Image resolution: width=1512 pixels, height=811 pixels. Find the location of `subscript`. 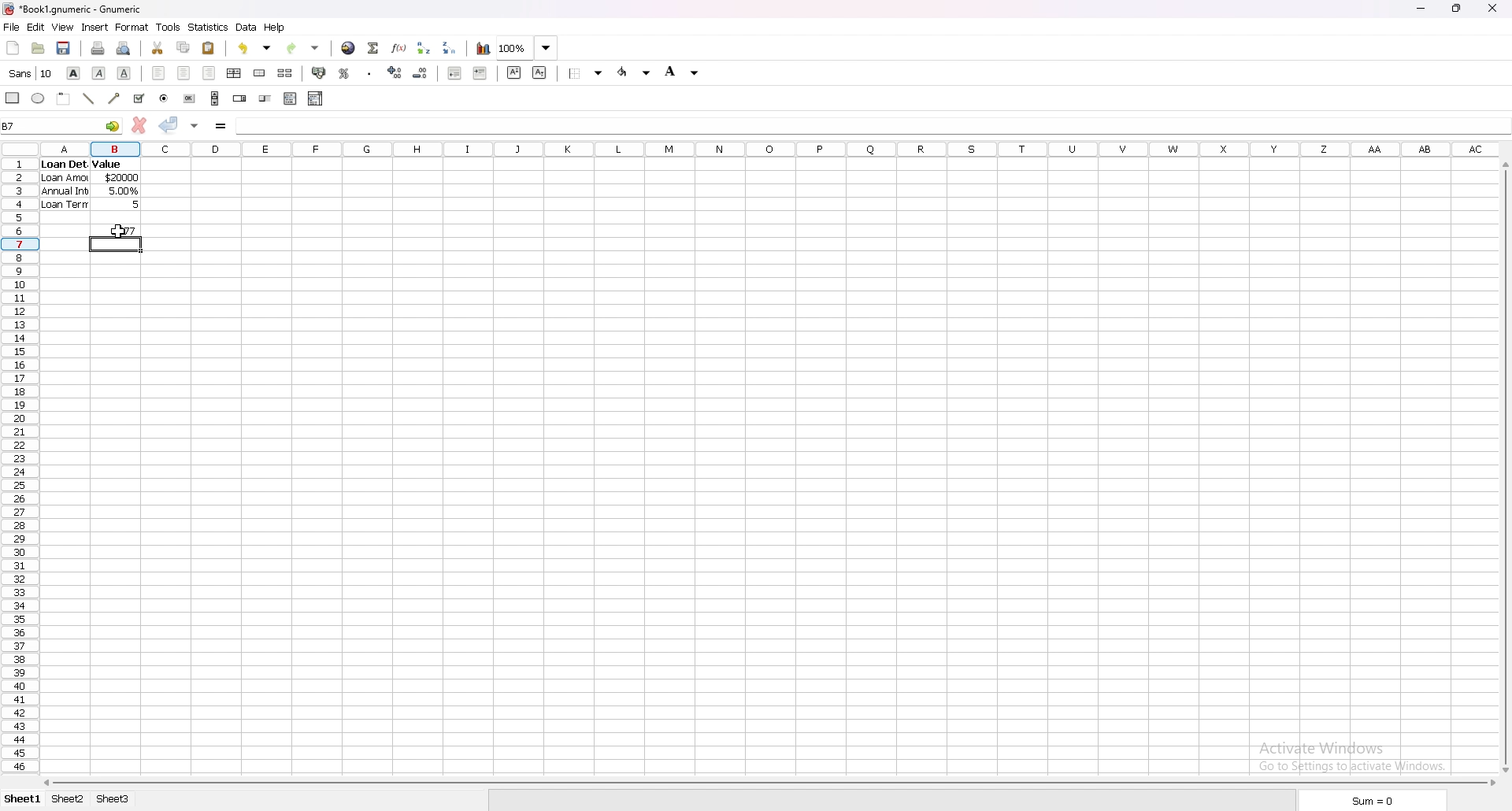

subscript is located at coordinates (539, 72).